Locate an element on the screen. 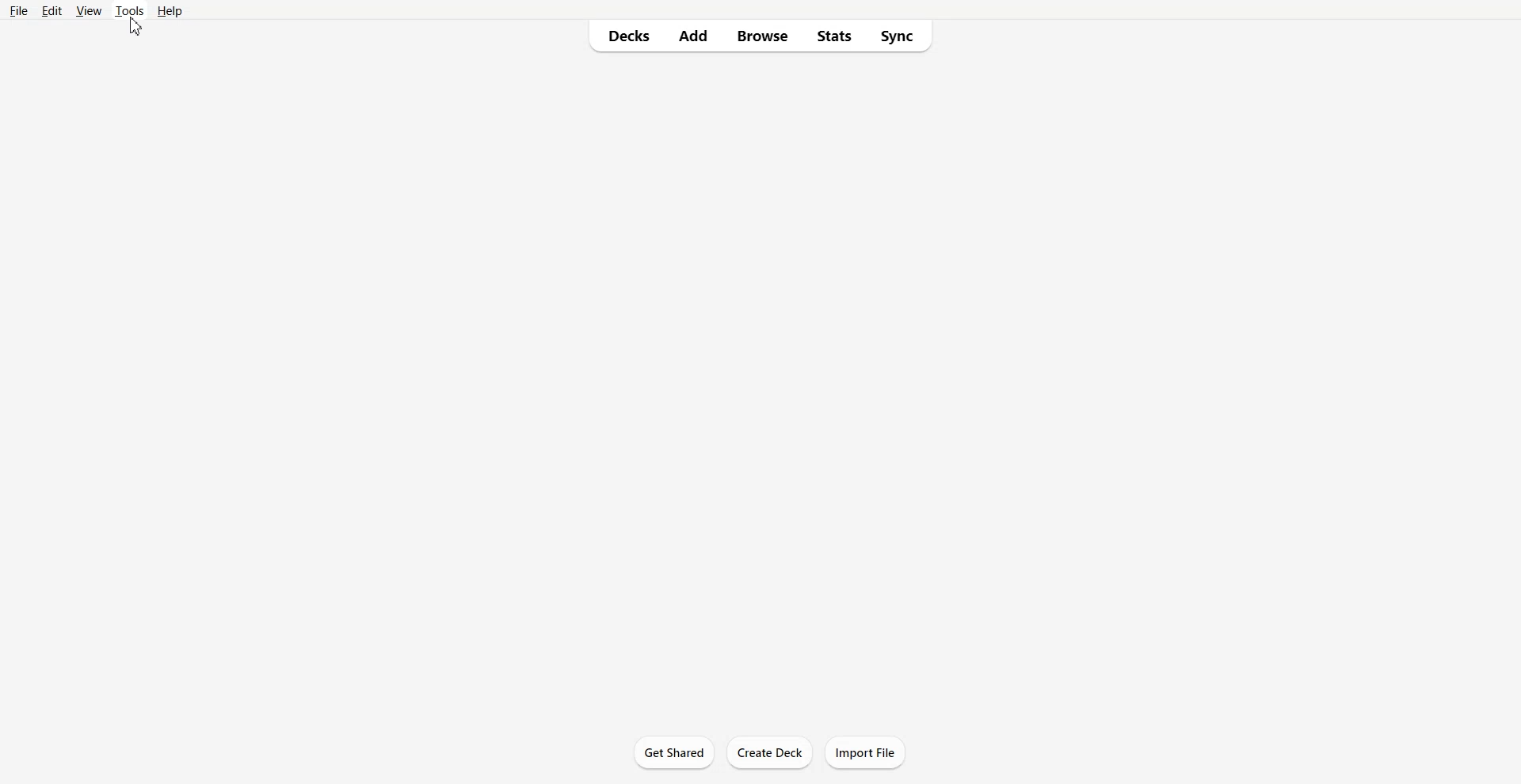 Image resolution: width=1521 pixels, height=784 pixels. Import File is located at coordinates (865, 752).